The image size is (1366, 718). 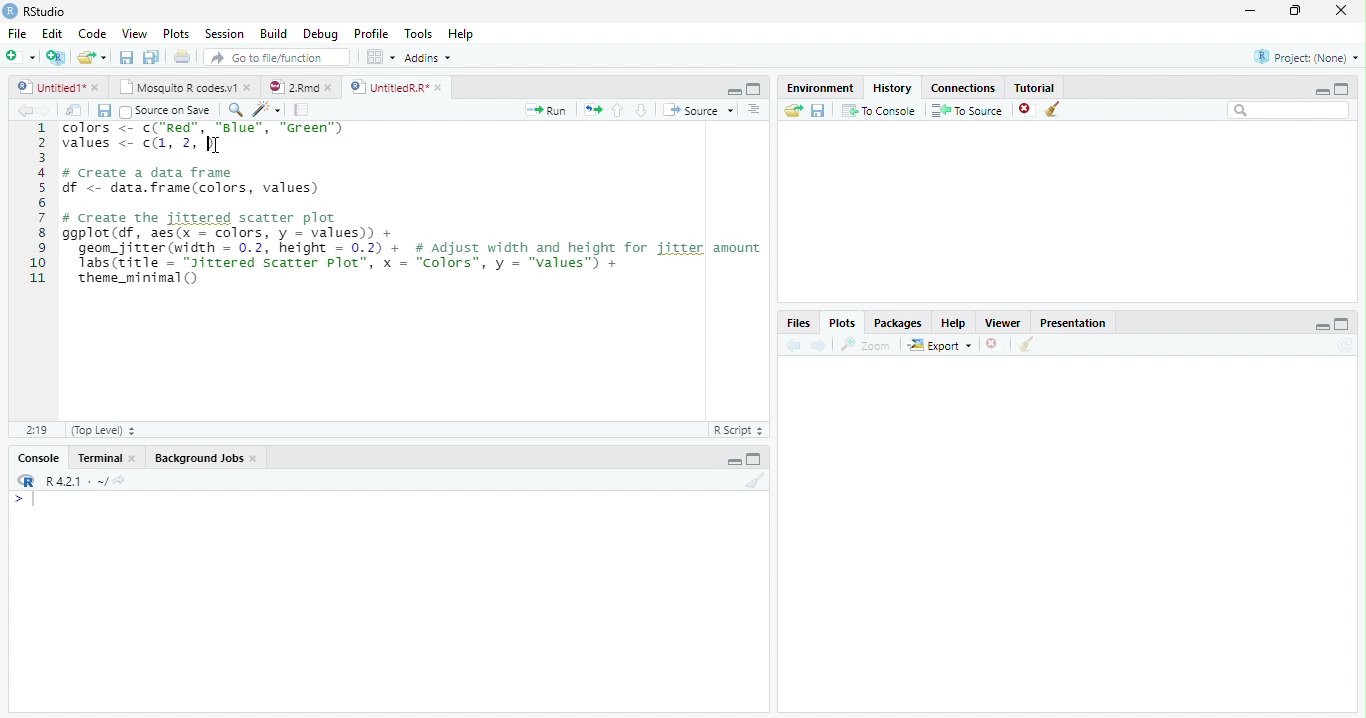 What do you see at coordinates (842, 323) in the screenshot?
I see `Plots` at bounding box center [842, 323].